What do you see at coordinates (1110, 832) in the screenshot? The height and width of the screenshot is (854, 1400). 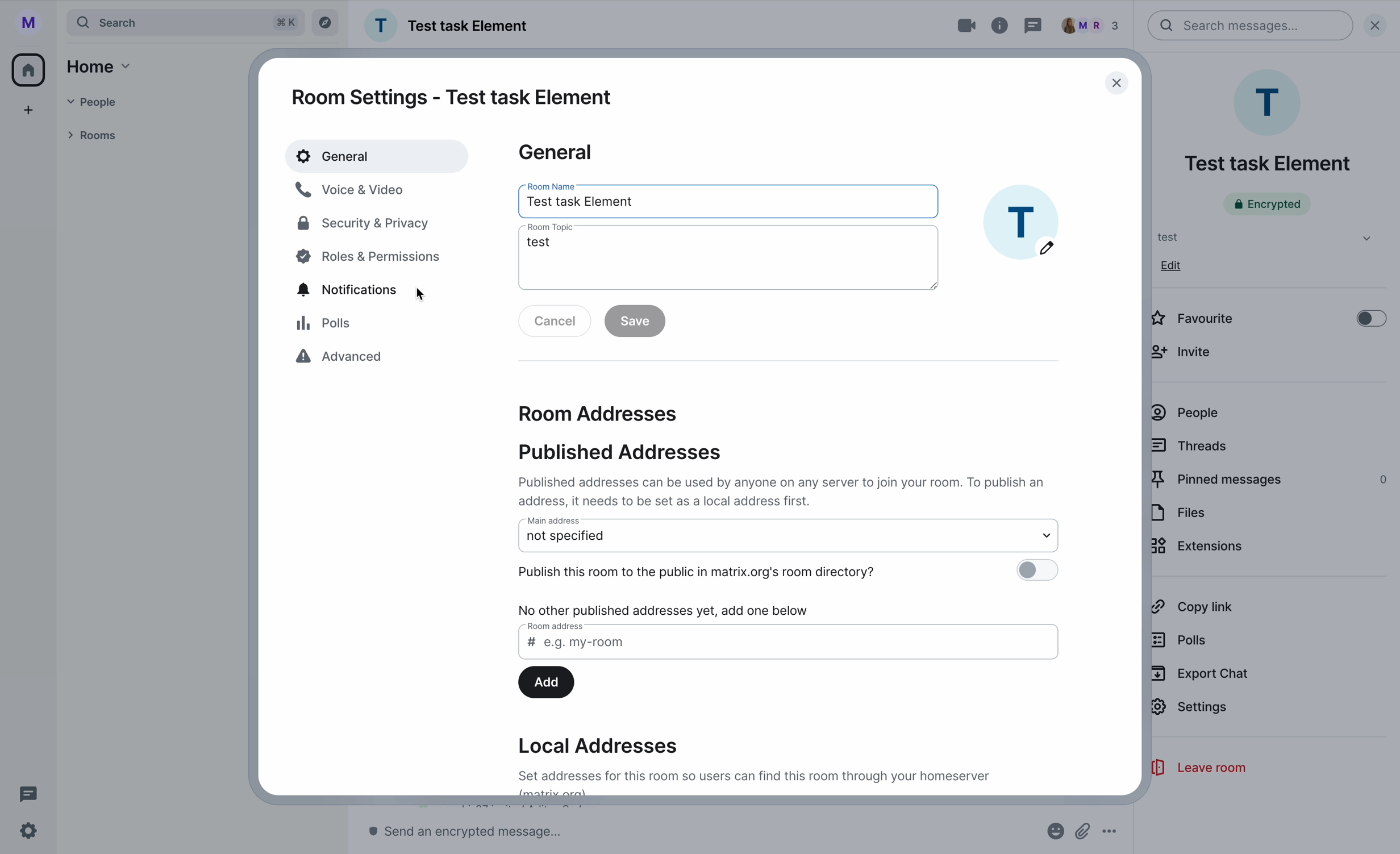 I see `more options` at bounding box center [1110, 832].